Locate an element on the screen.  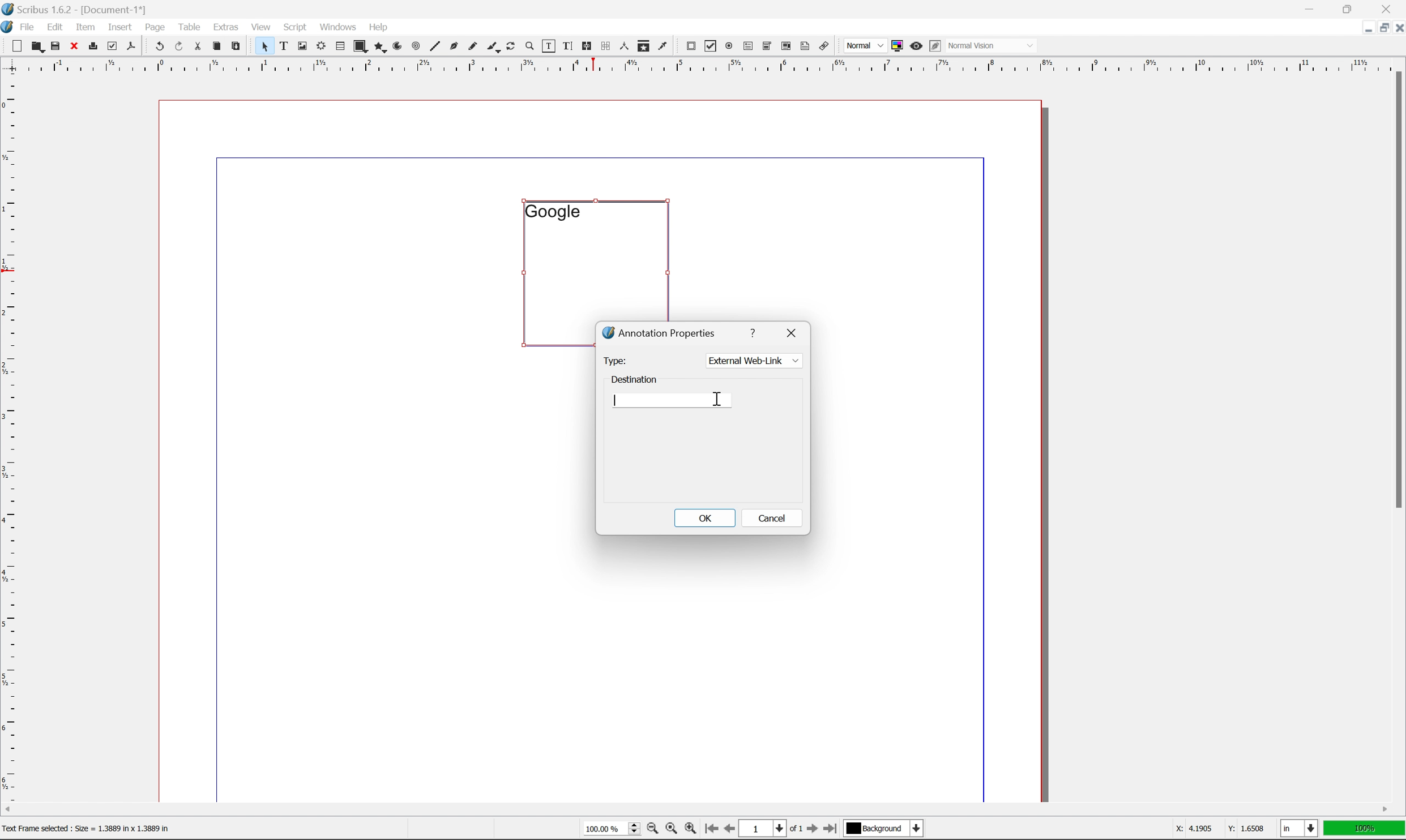
normal vision is located at coordinates (993, 45).